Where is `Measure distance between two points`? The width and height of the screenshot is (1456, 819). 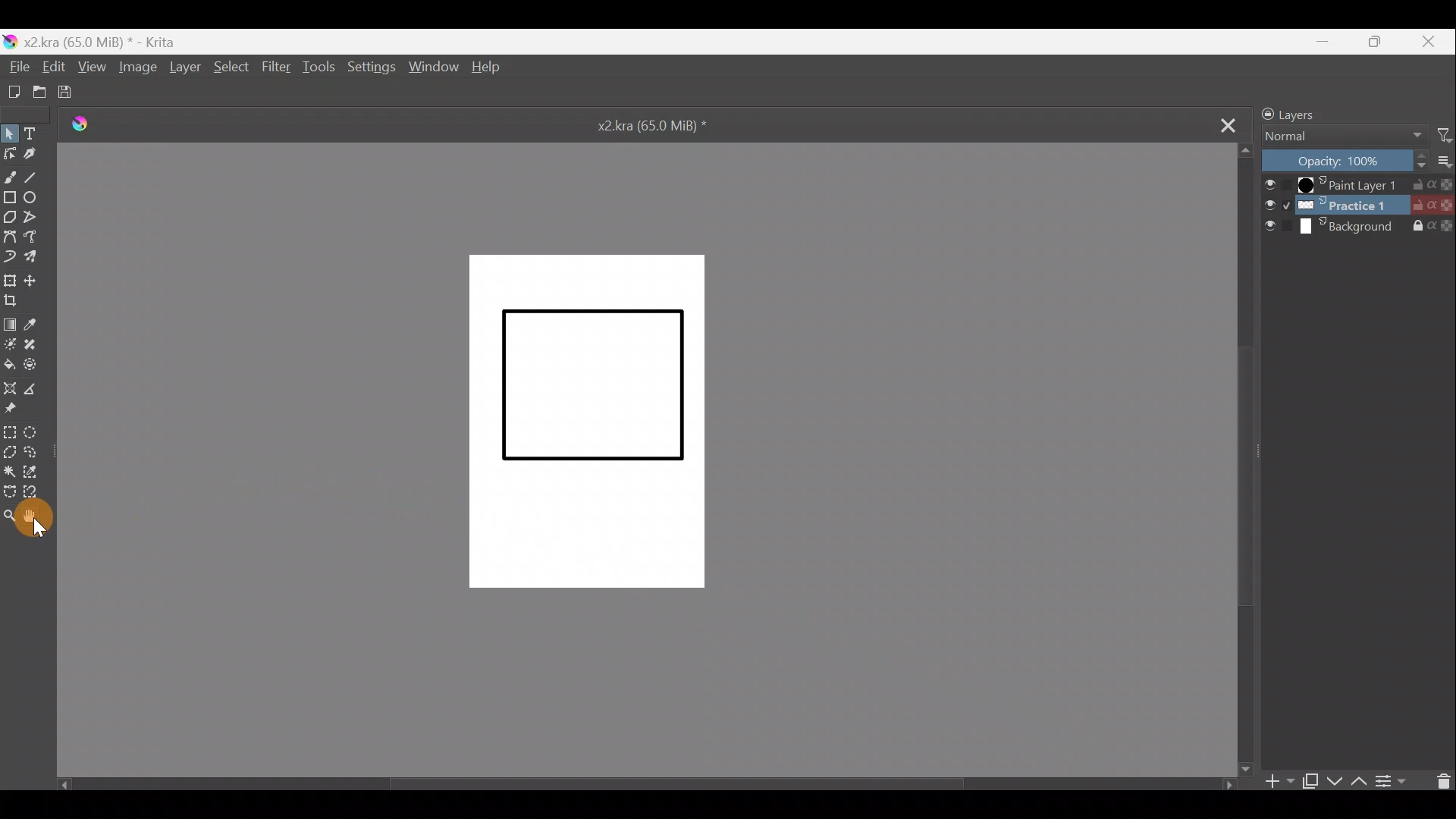 Measure distance between two points is located at coordinates (33, 387).